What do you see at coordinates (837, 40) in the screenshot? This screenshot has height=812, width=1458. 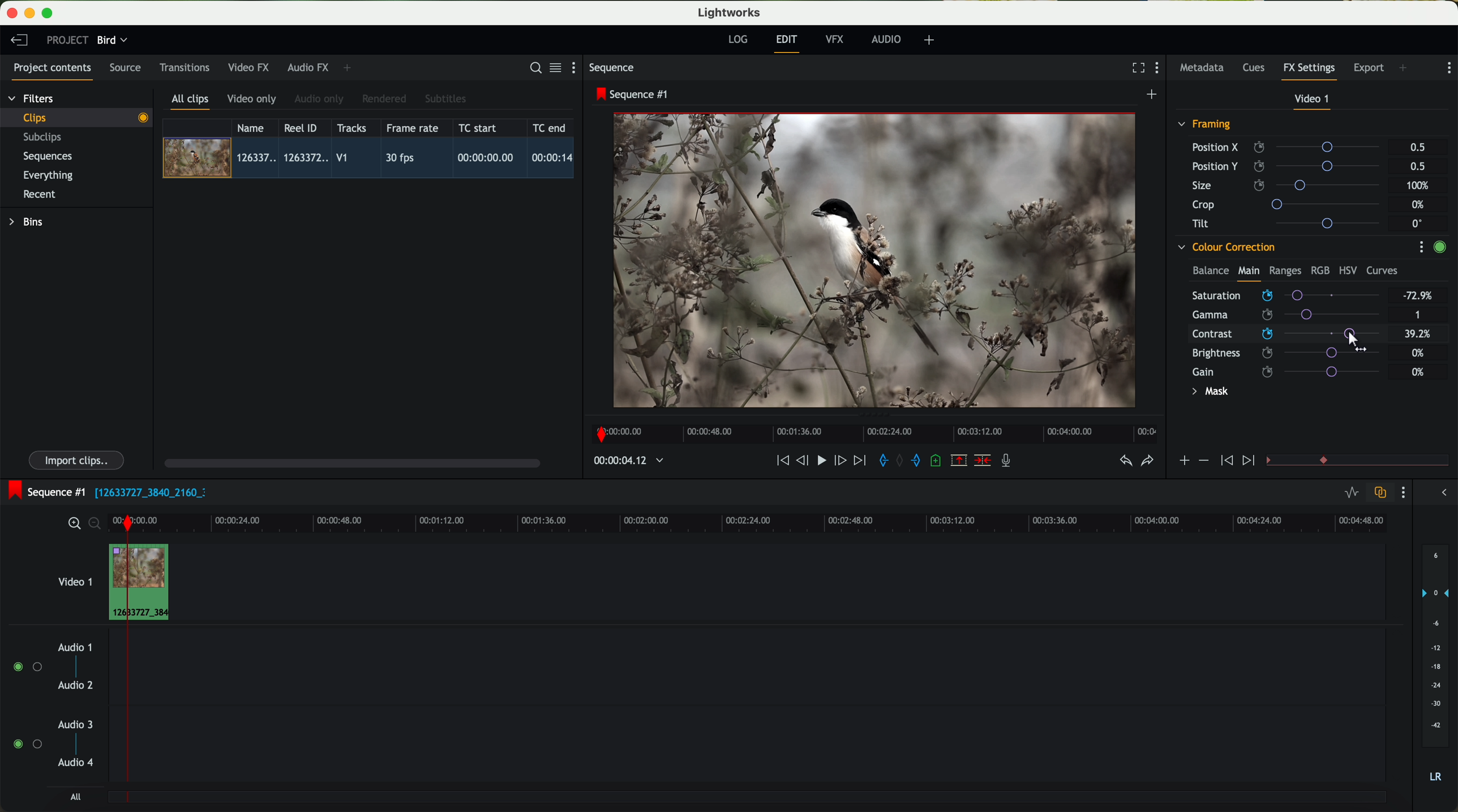 I see `VFX` at bounding box center [837, 40].